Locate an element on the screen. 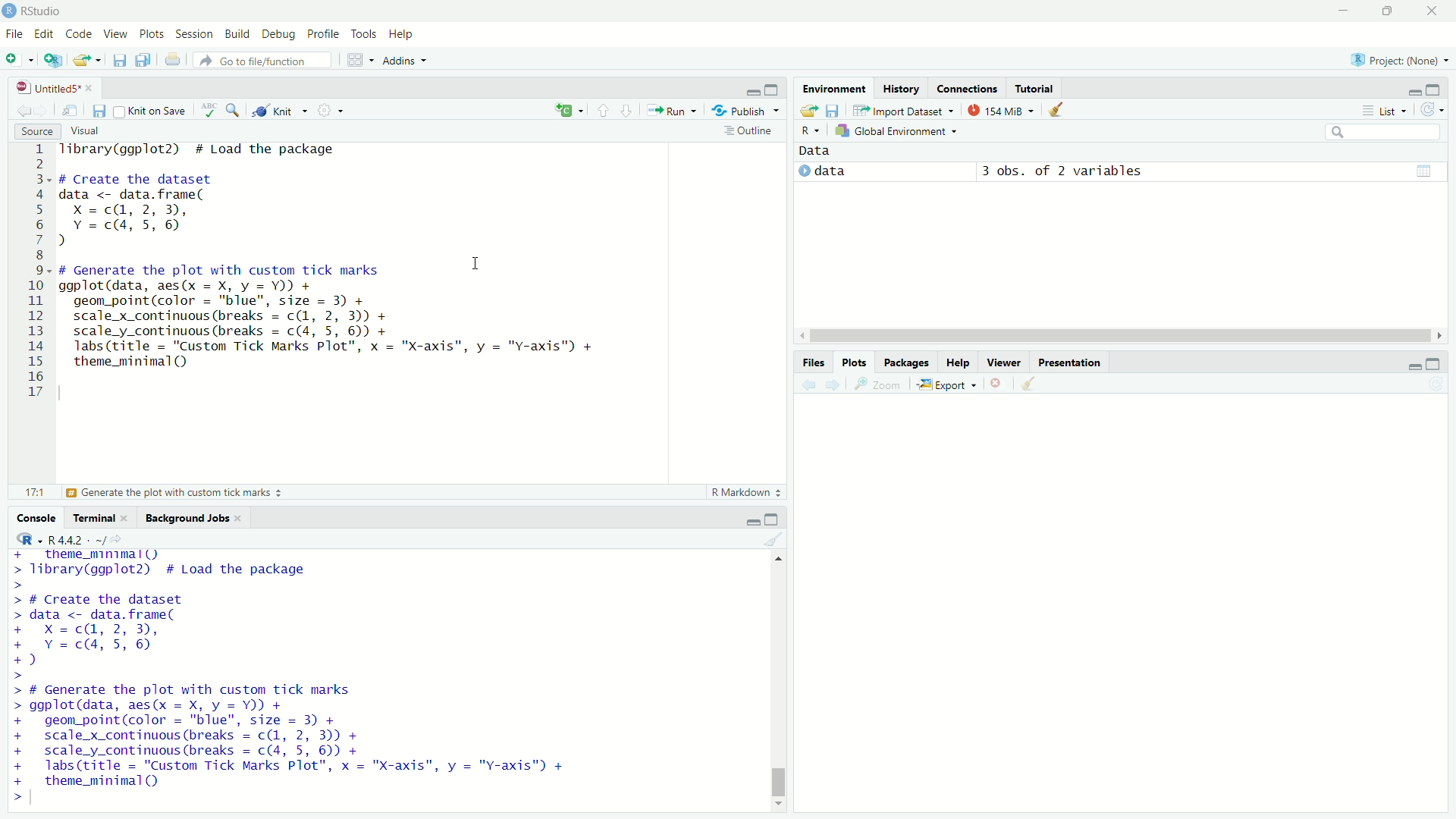 This screenshot has height=819, width=1456. data is located at coordinates (836, 171).